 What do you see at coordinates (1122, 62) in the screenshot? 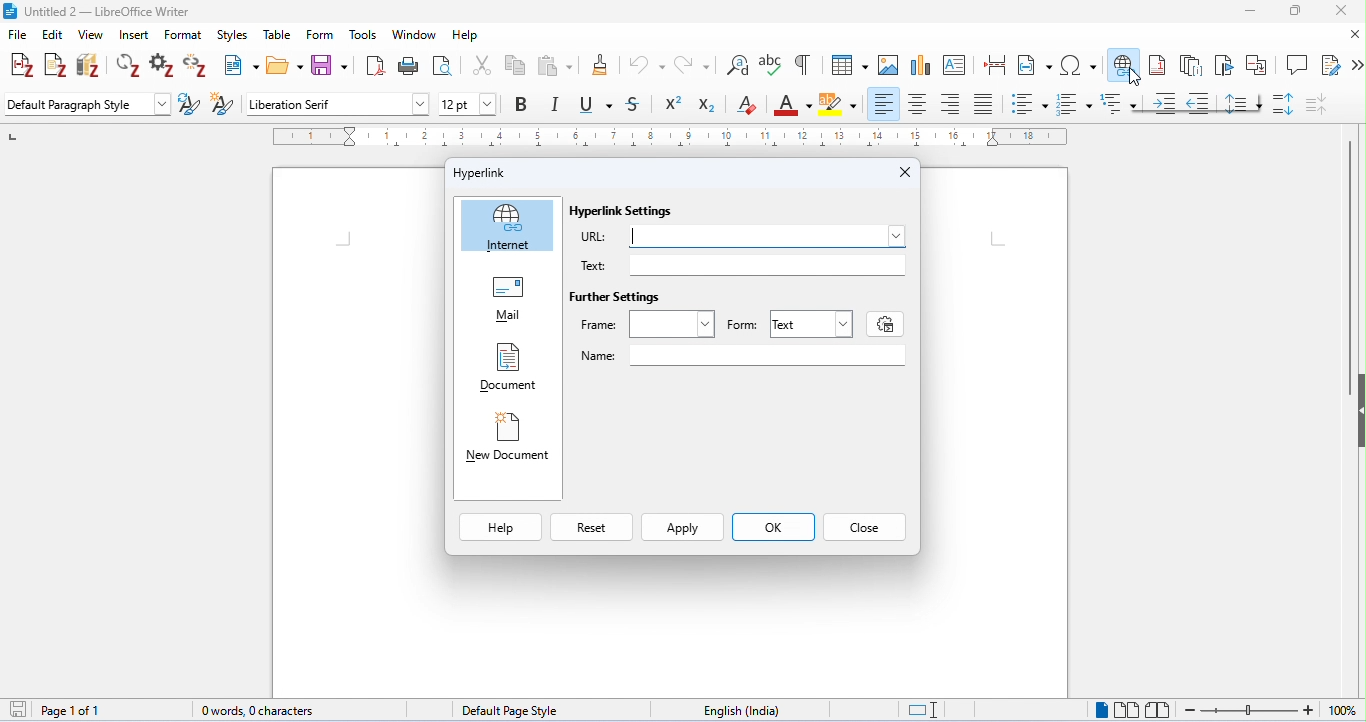
I see `insert hyperlink` at bounding box center [1122, 62].